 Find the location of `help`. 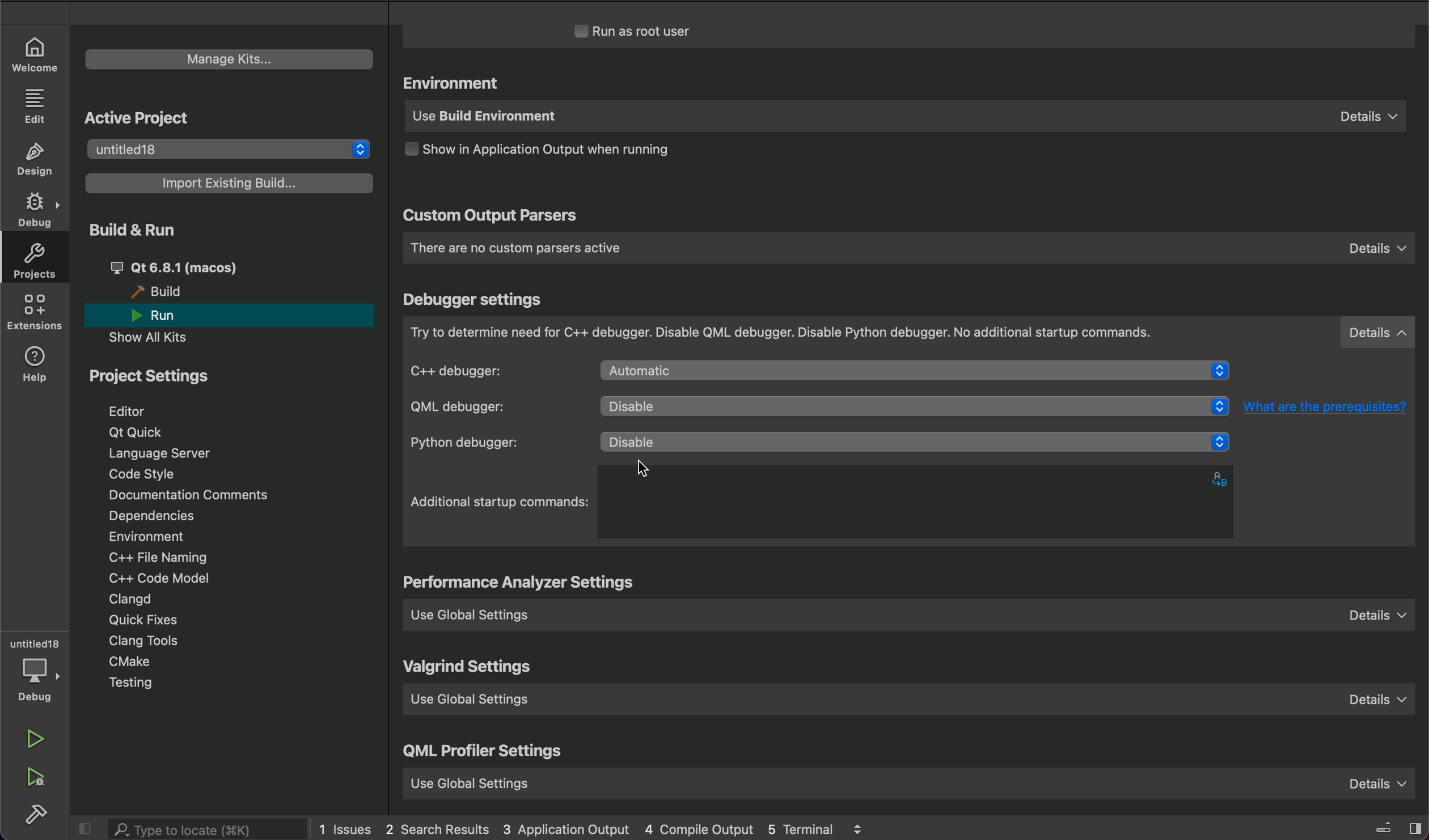

help is located at coordinates (39, 364).